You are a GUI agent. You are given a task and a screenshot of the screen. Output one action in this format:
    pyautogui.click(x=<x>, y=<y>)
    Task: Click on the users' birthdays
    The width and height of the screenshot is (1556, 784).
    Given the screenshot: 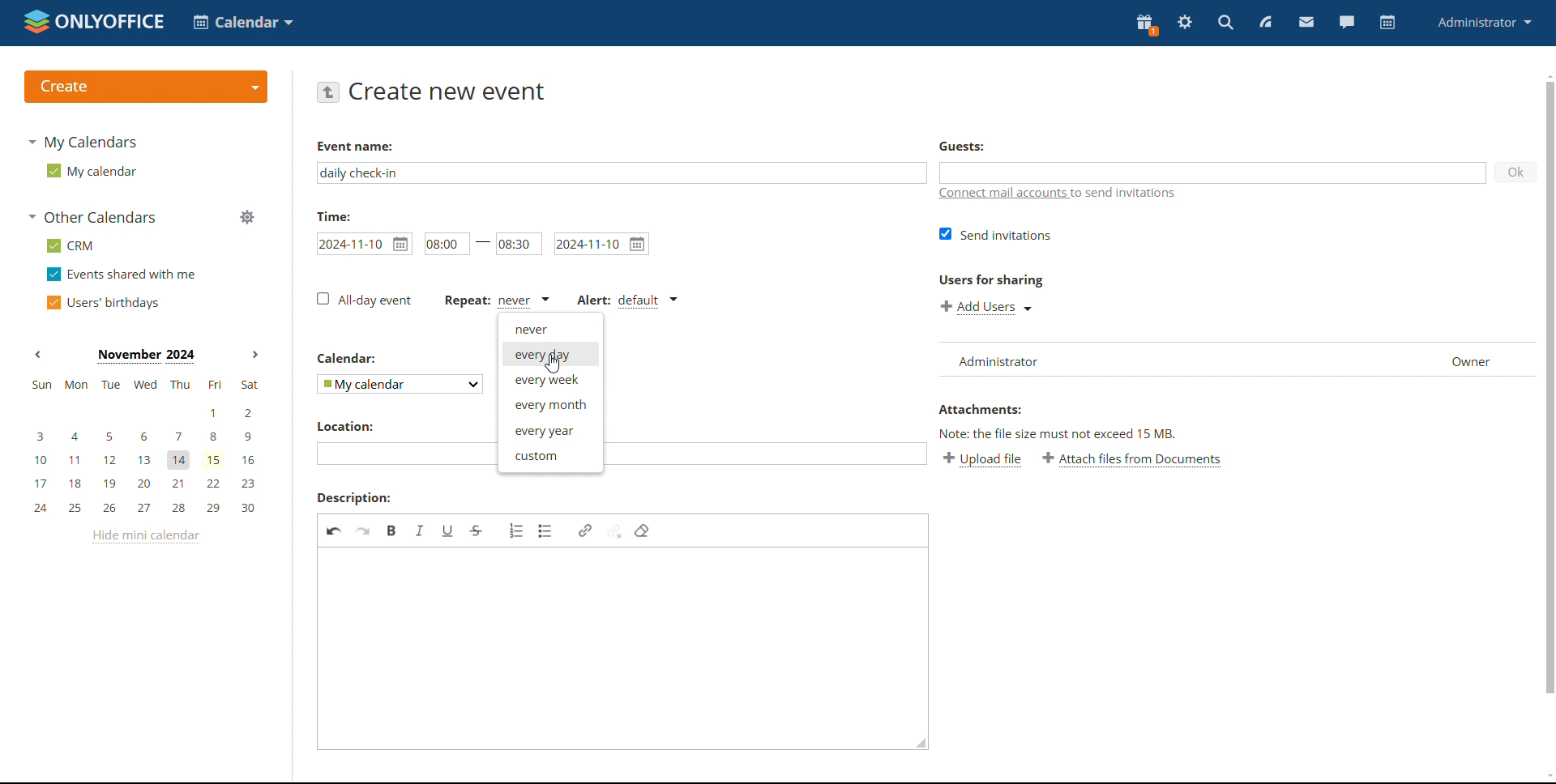 What is the action you would take?
    pyautogui.click(x=102, y=303)
    